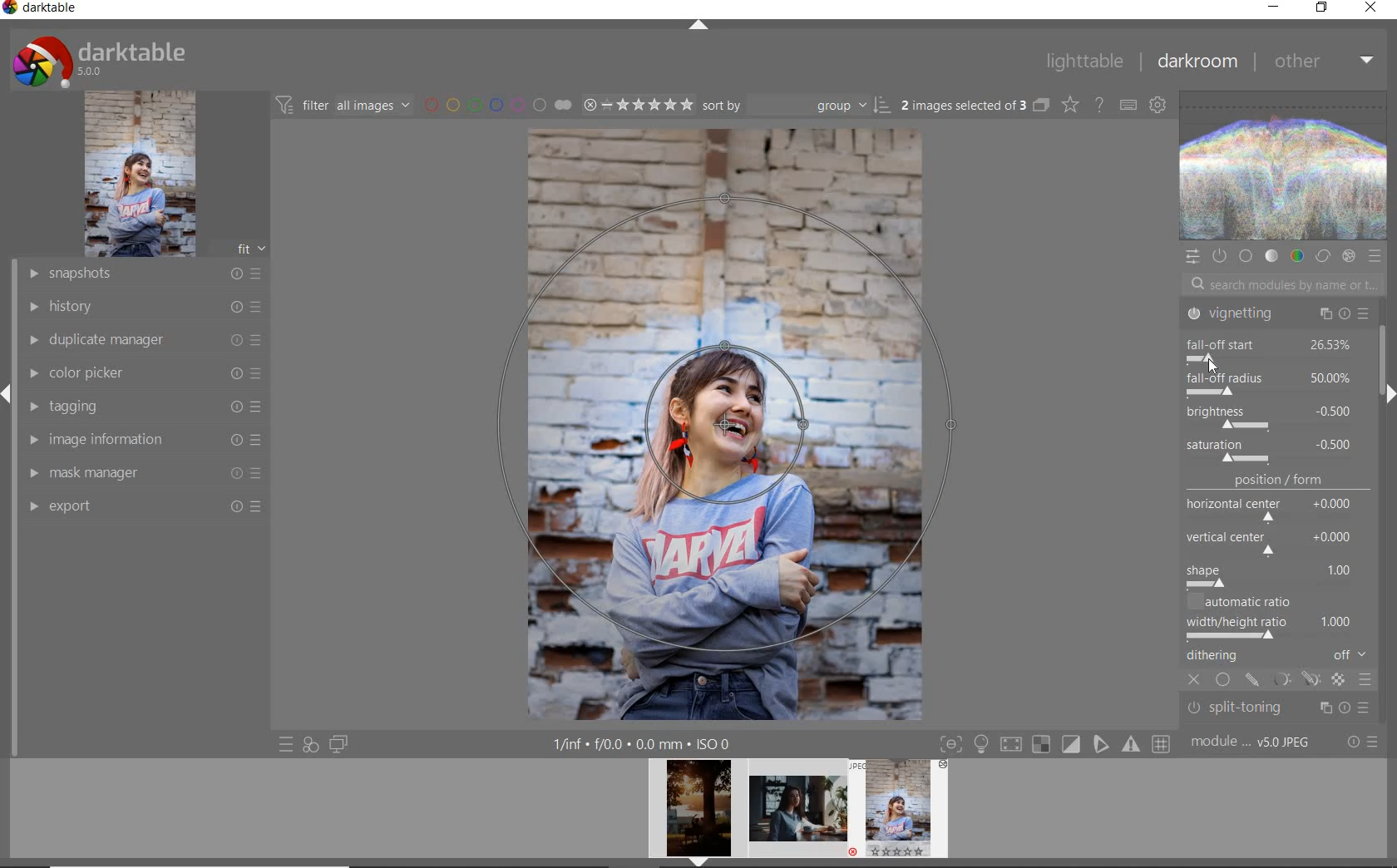  What do you see at coordinates (1270, 416) in the screenshot?
I see `brightness` at bounding box center [1270, 416].